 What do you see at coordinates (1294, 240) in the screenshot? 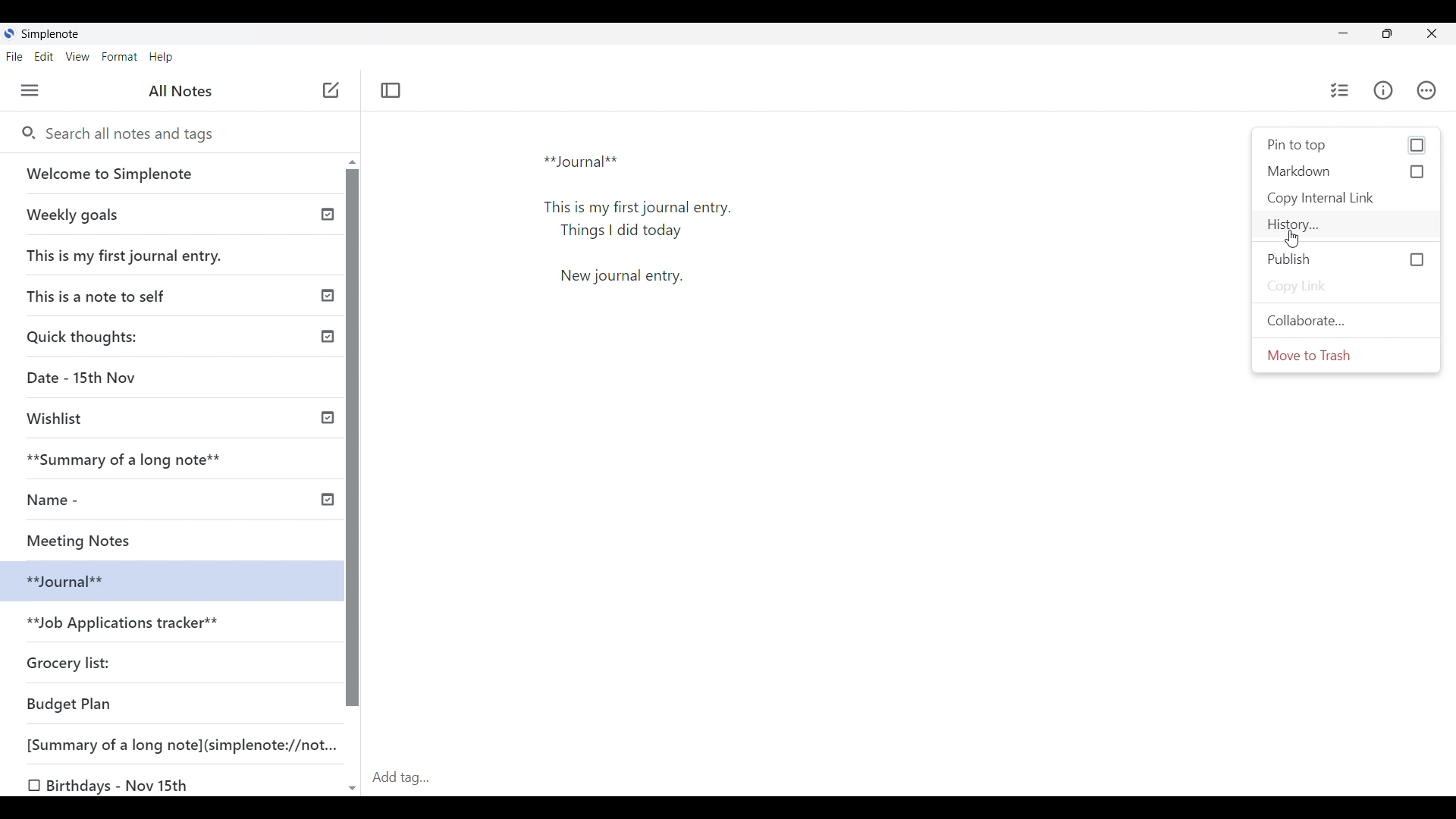
I see `cursor` at bounding box center [1294, 240].